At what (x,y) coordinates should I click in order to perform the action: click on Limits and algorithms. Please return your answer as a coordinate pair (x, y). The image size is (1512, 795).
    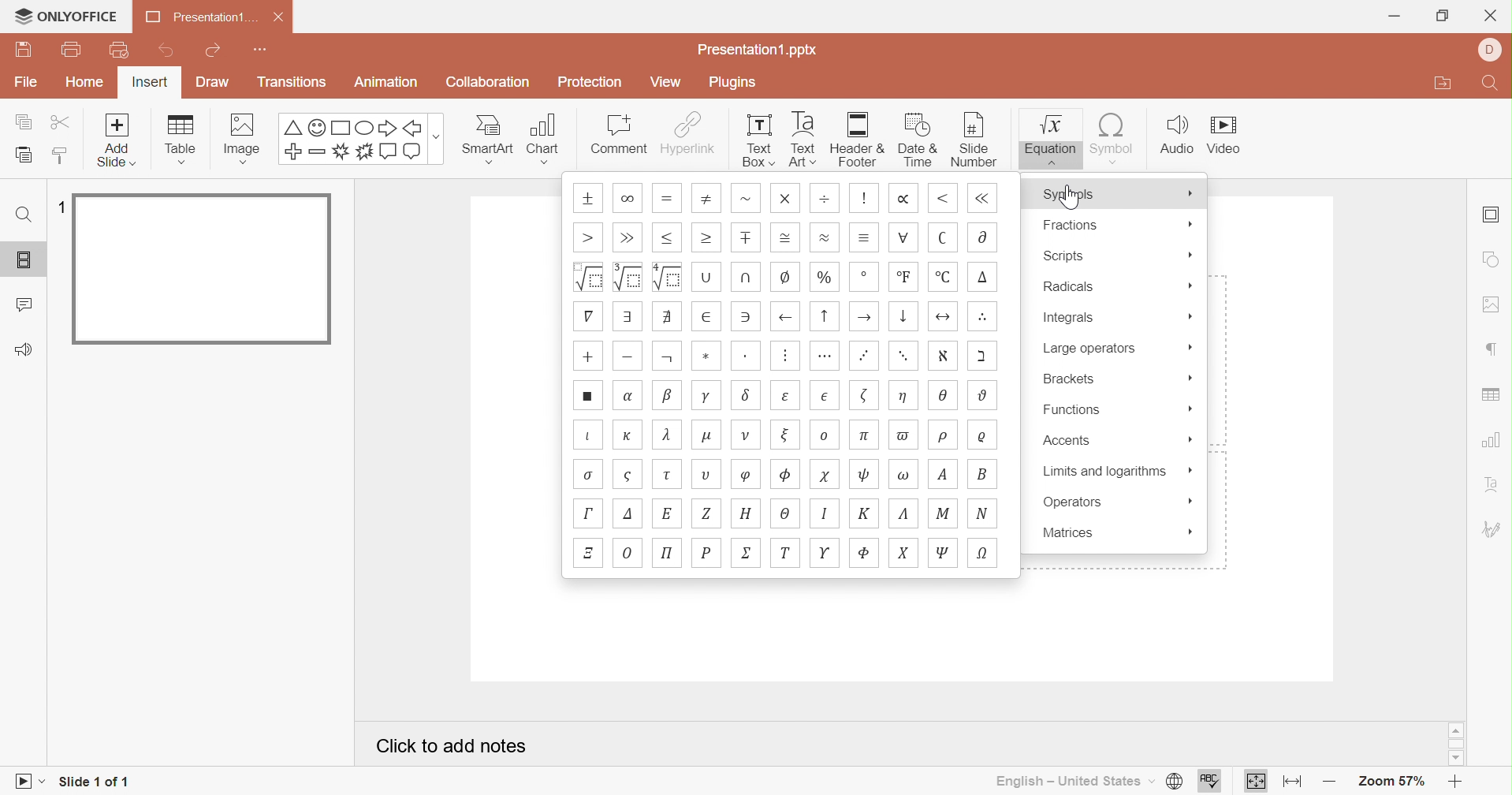
    Looking at the image, I should click on (1118, 470).